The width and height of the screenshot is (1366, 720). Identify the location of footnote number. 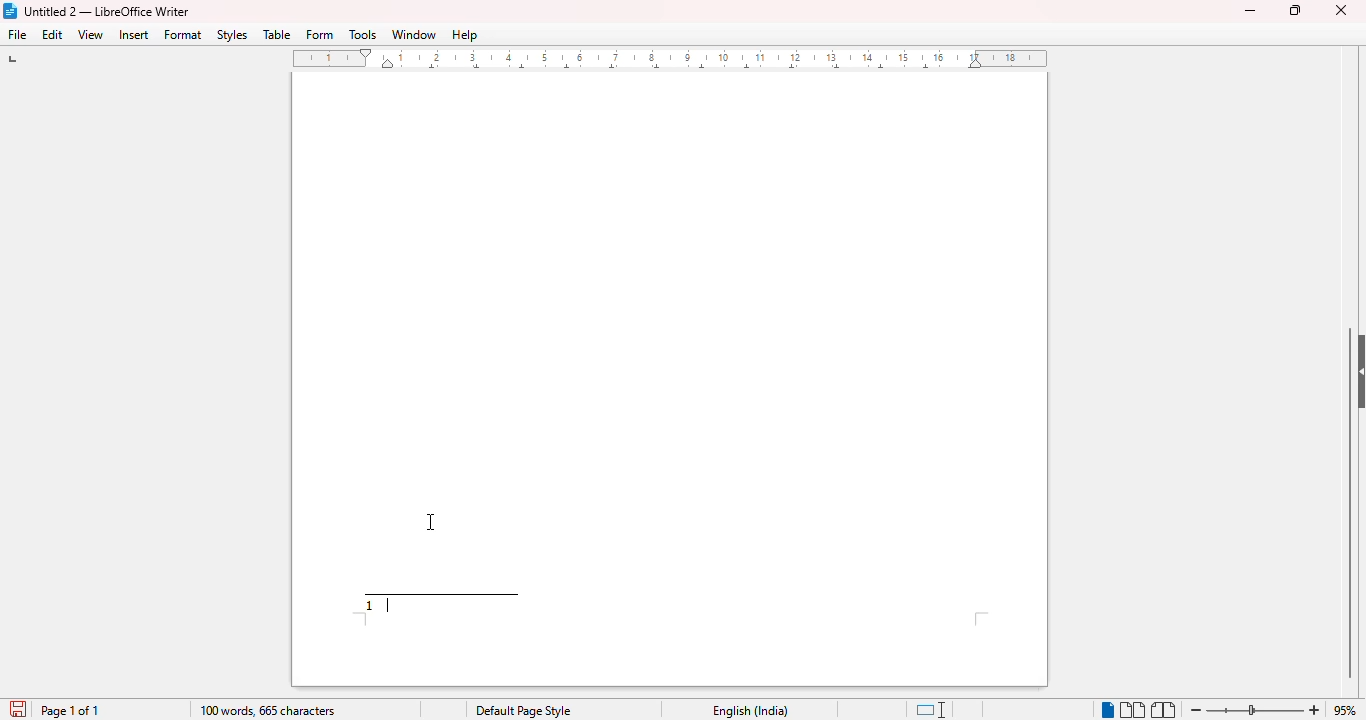
(372, 605).